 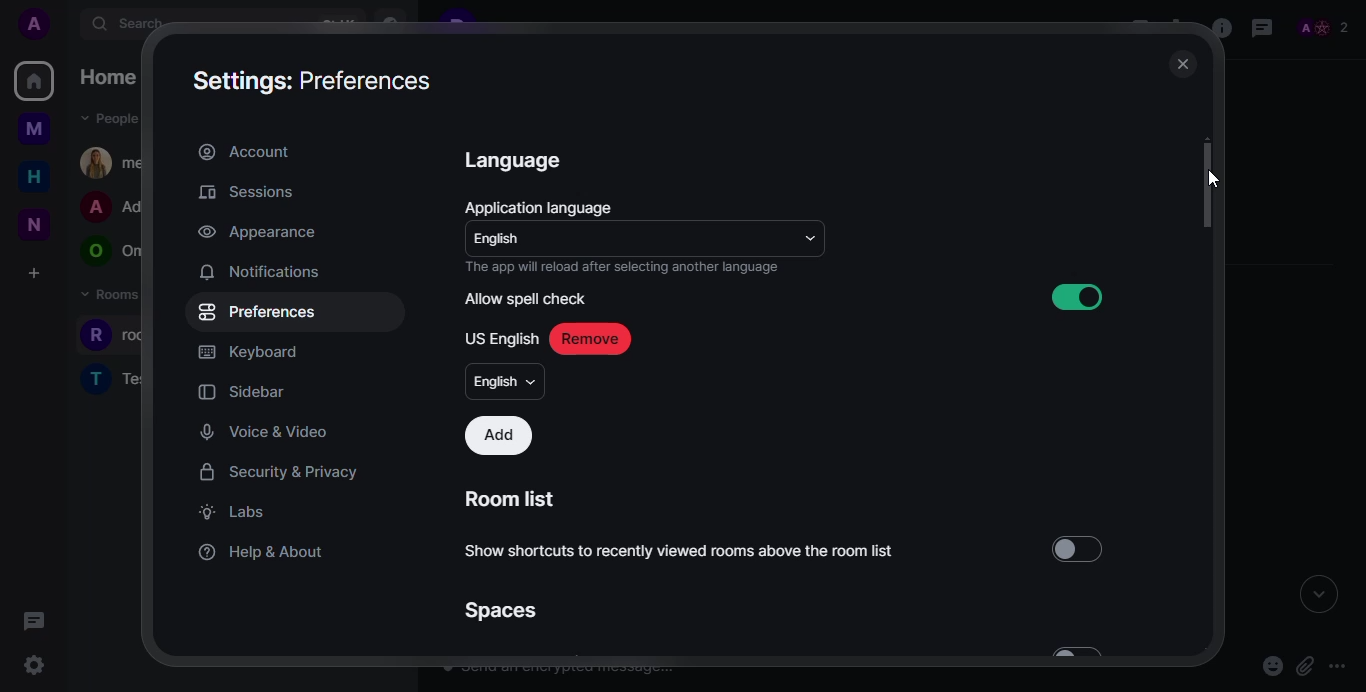 What do you see at coordinates (259, 271) in the screenshot?
I see `notifications` at bounding box center [259, 271].